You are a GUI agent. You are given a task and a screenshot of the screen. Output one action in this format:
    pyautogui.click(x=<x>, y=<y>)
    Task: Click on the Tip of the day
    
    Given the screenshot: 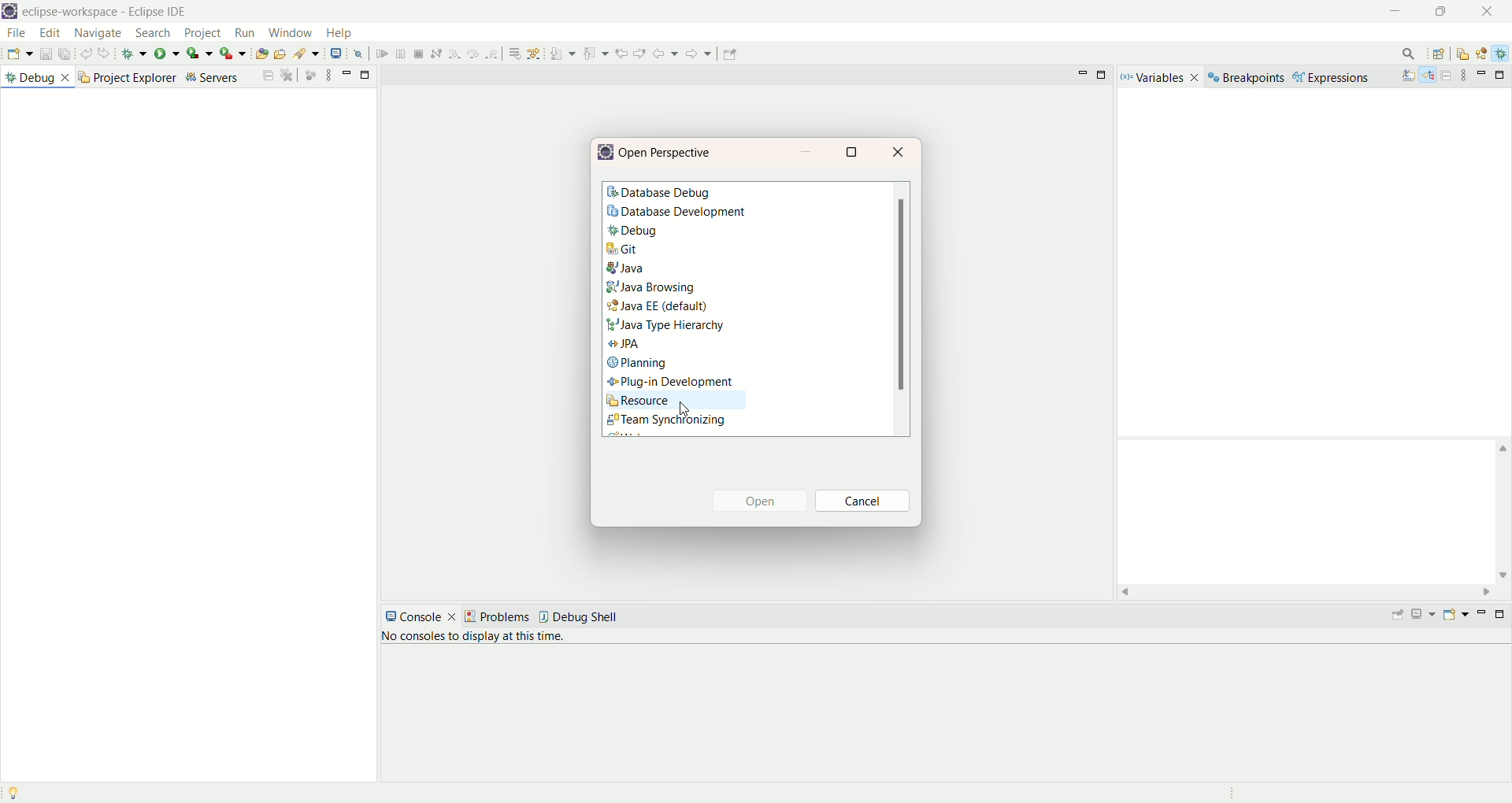 What is the action you would take?
    pyautogui.click(x=15, y=790)
    